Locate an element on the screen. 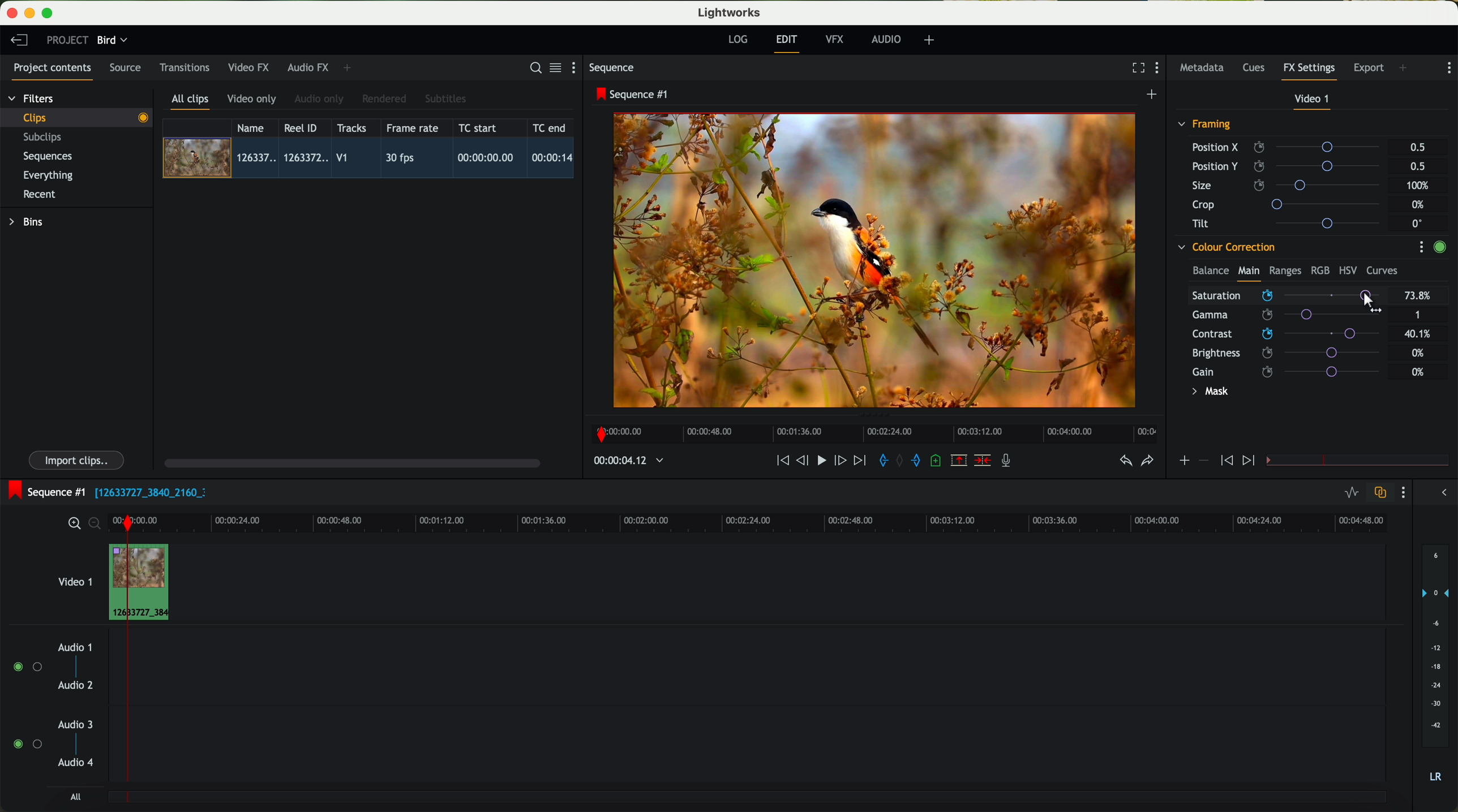 Image resolution: width=1458 pixels, height=812 pixels. audio 2 is located at coordinates (76, 686).